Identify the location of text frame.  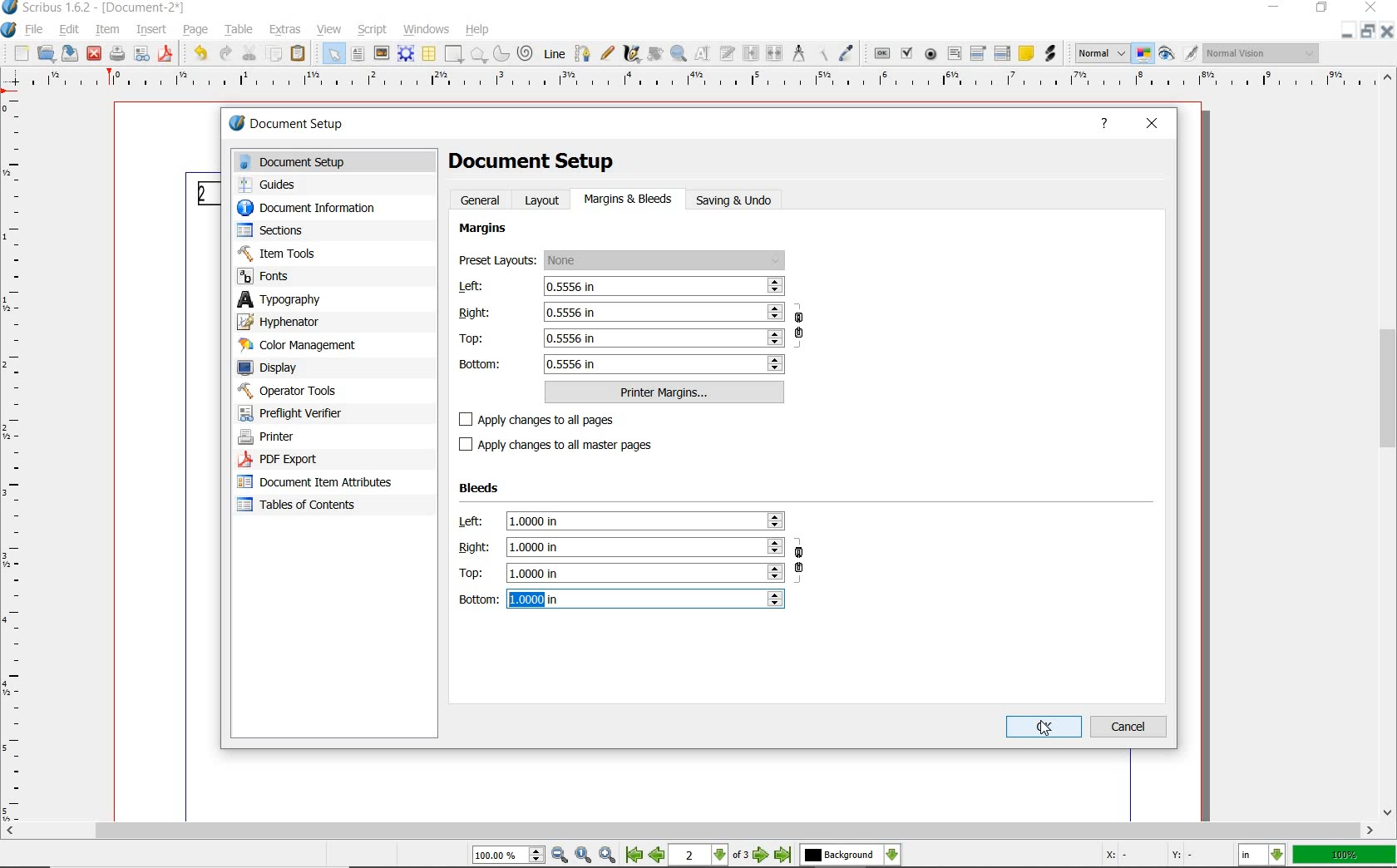
(358, 55).